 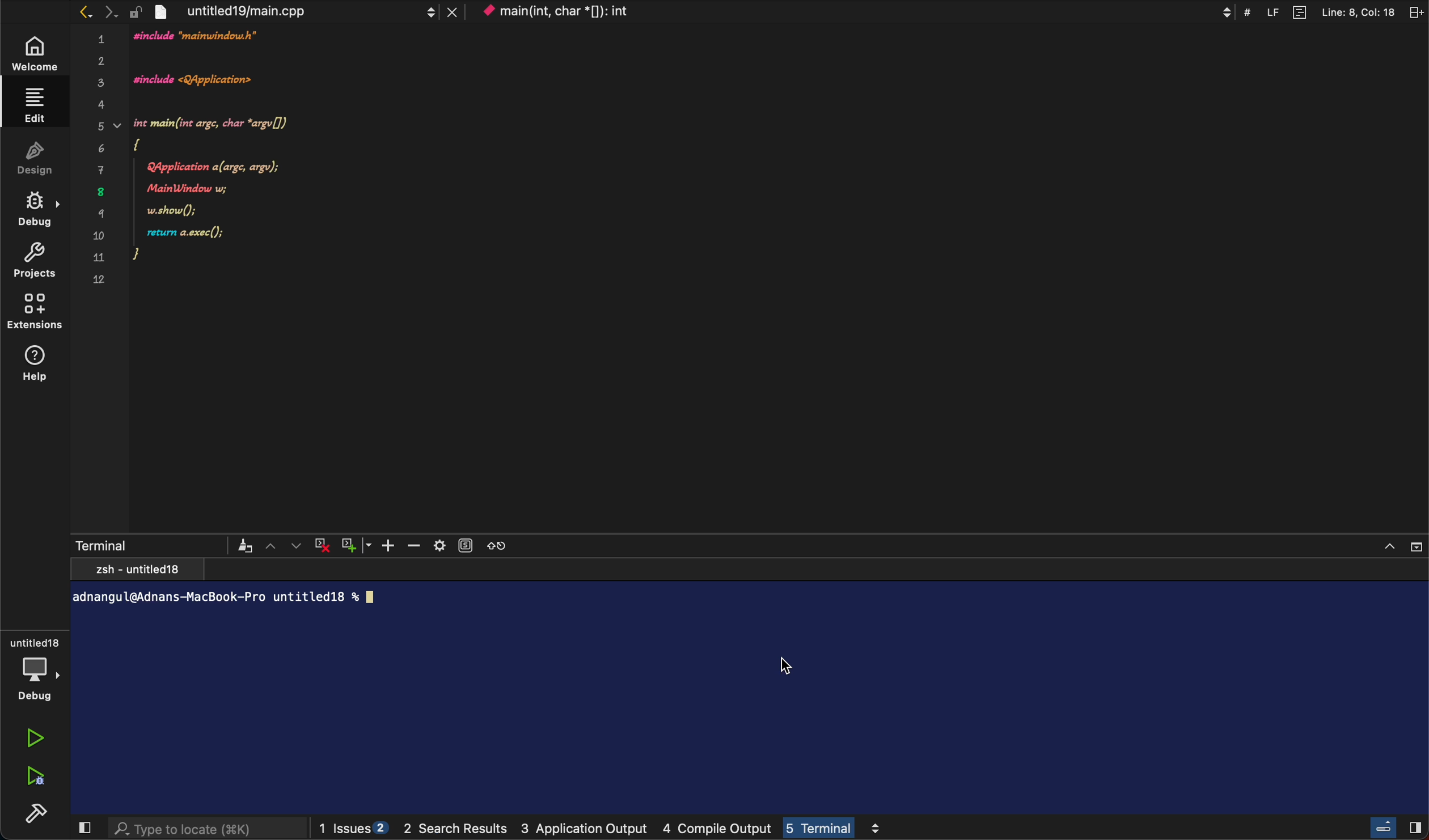 I want to click on terminal, so click(x=748, y=669).